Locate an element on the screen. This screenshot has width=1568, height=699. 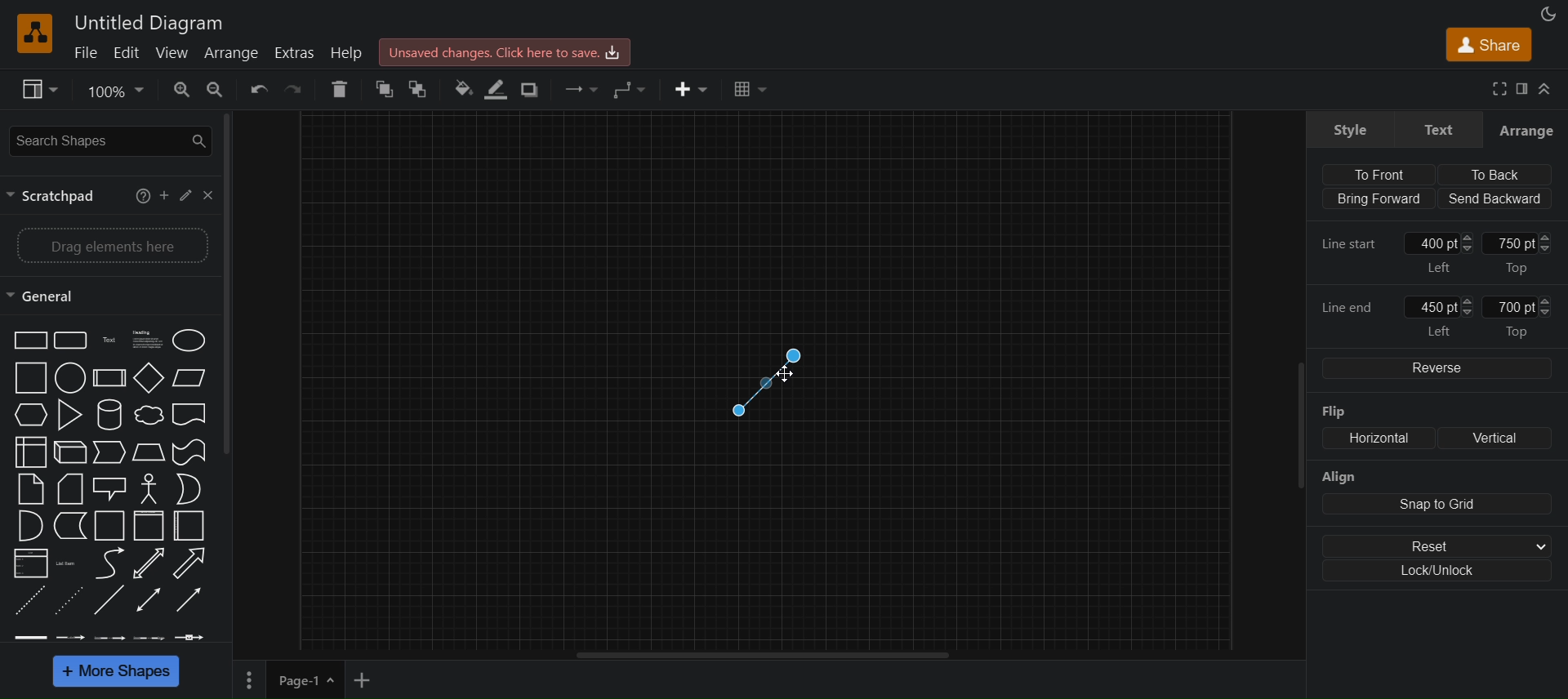
drag elements here is located at coordinates (110, 243).